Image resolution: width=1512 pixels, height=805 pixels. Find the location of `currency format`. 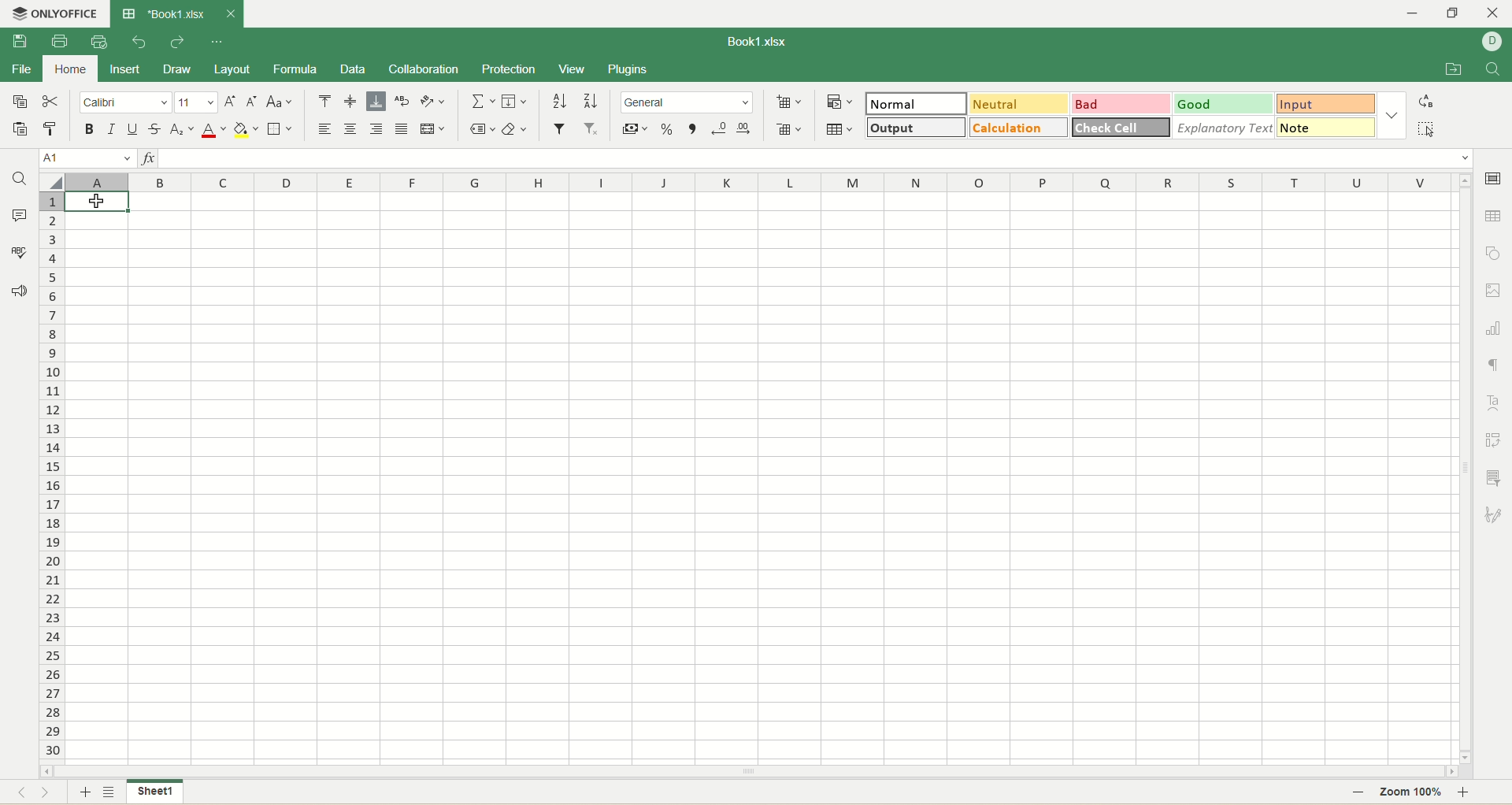

currency format is located at coordinates (636, 127).